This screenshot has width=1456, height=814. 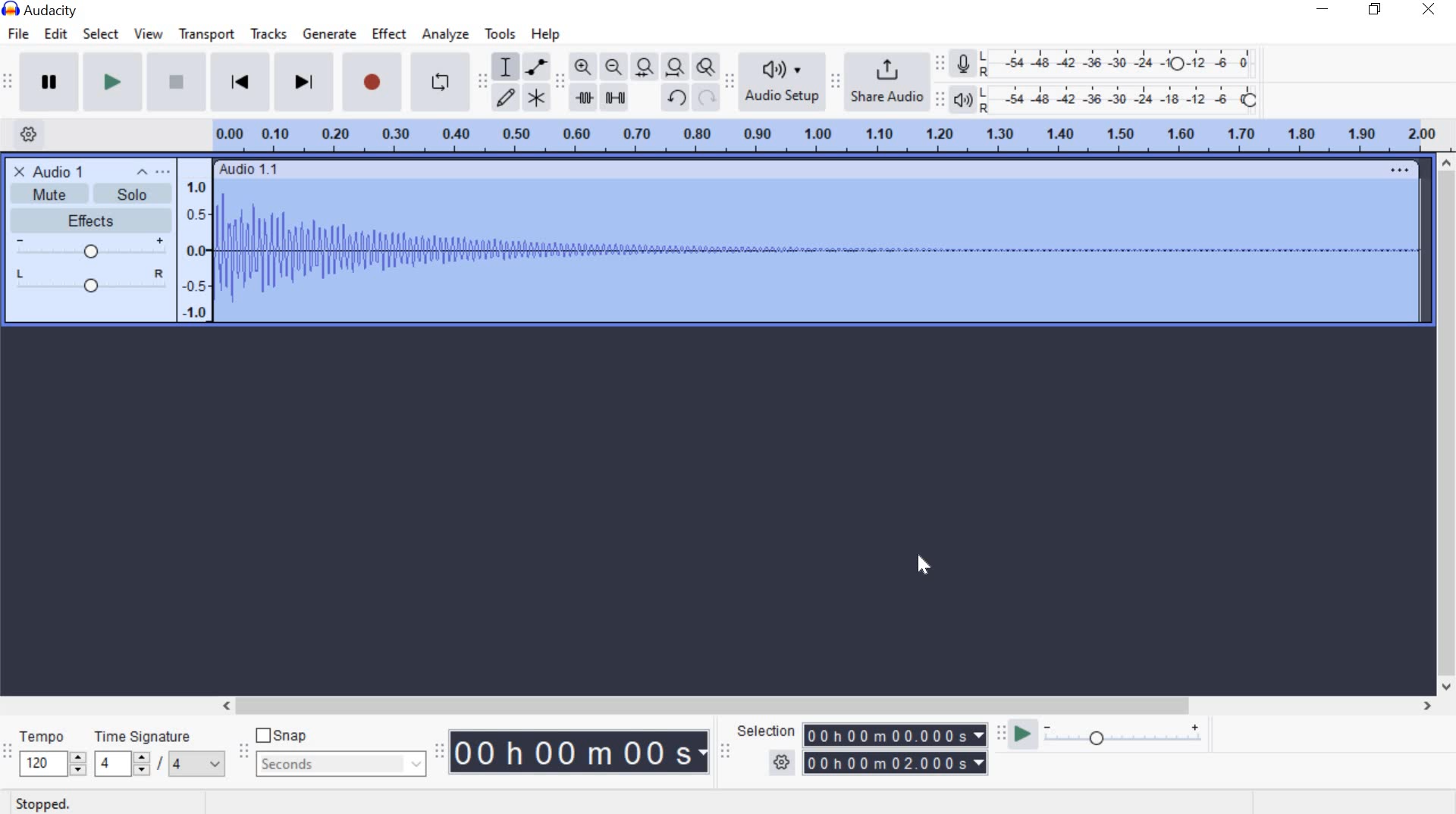 I want to click on Looping Region, so click(x=823, y=136).